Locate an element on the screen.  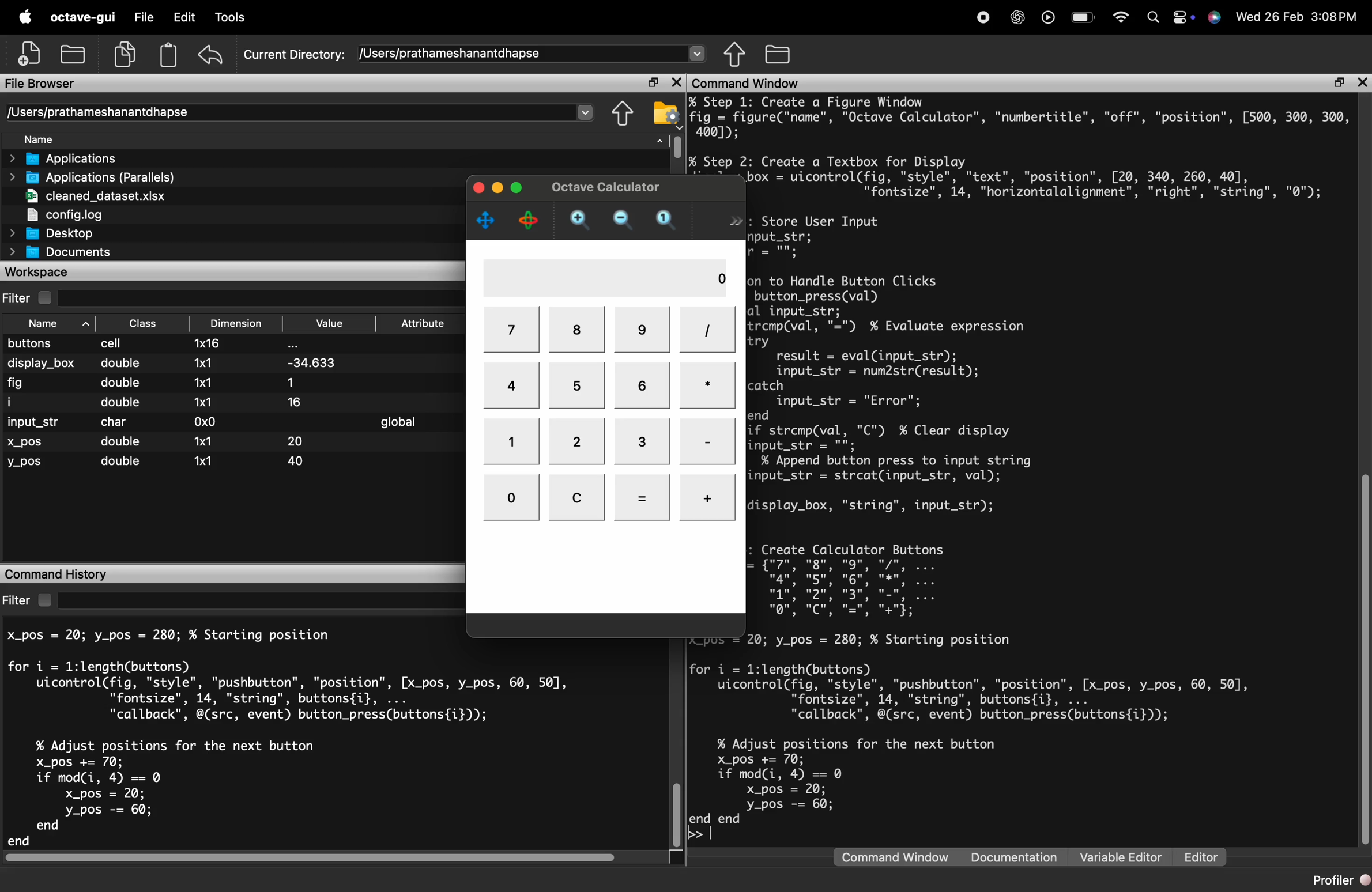
close is located at coordinates (476, 188).